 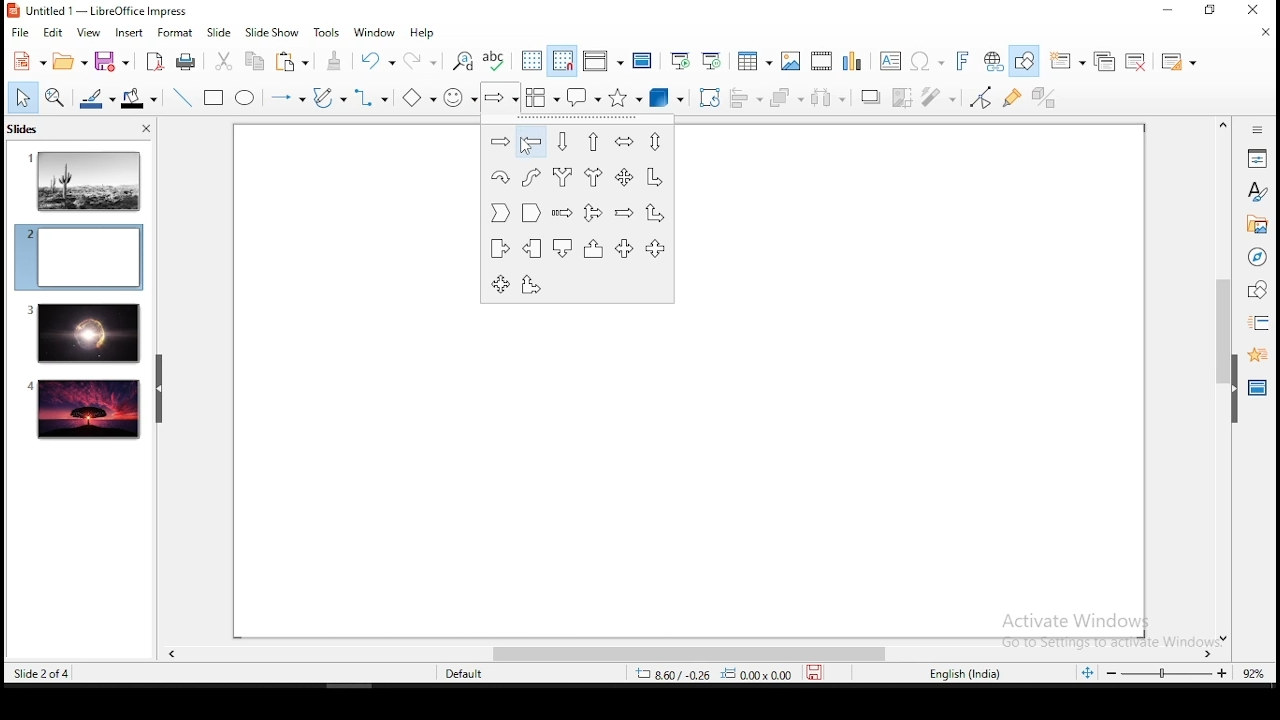 What do you see at coordinates (961, 62) in the screenshot?
I see `fontwork text` at bounding box center [961, 62].